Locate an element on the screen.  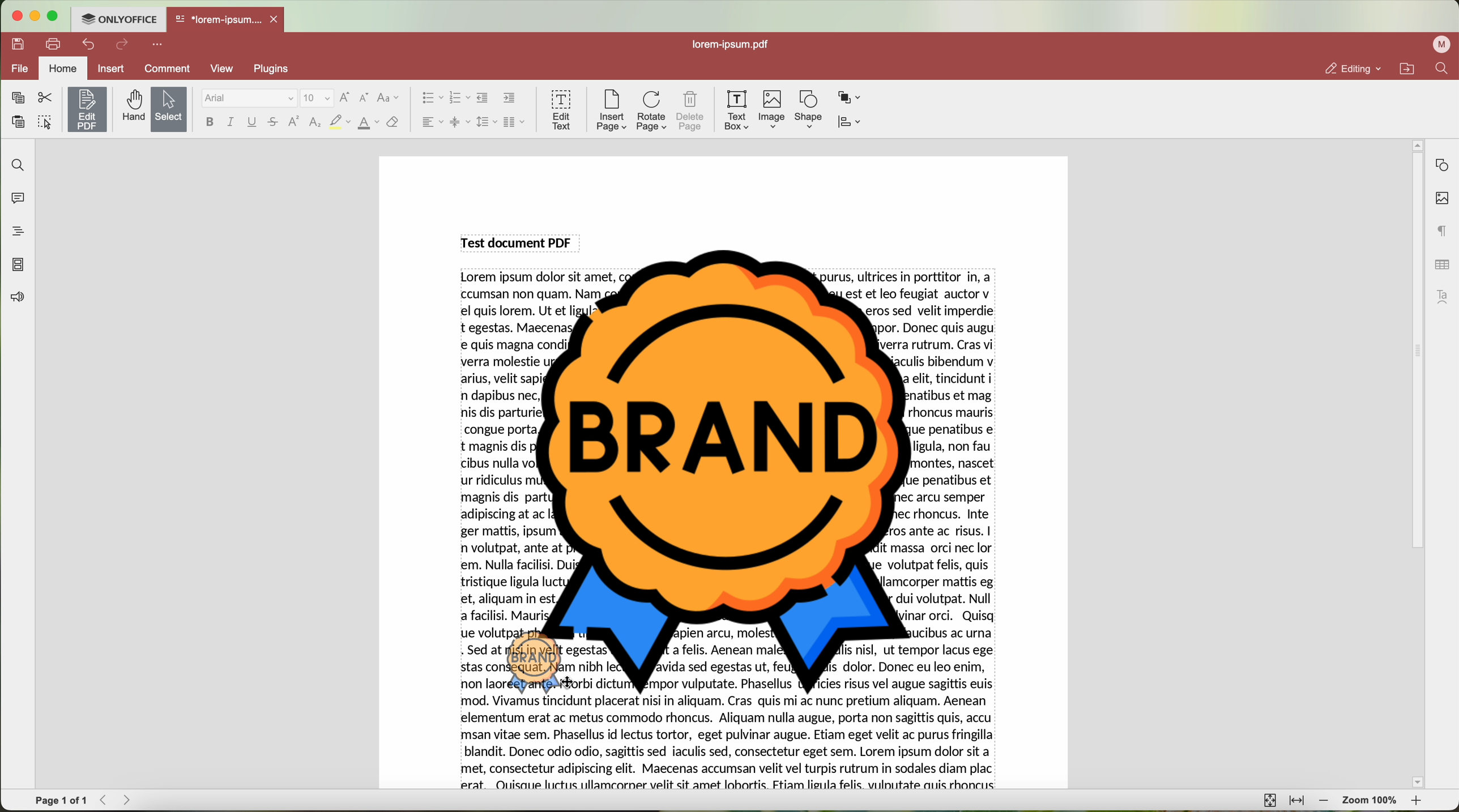
underline is located at coordinates (253, 124).